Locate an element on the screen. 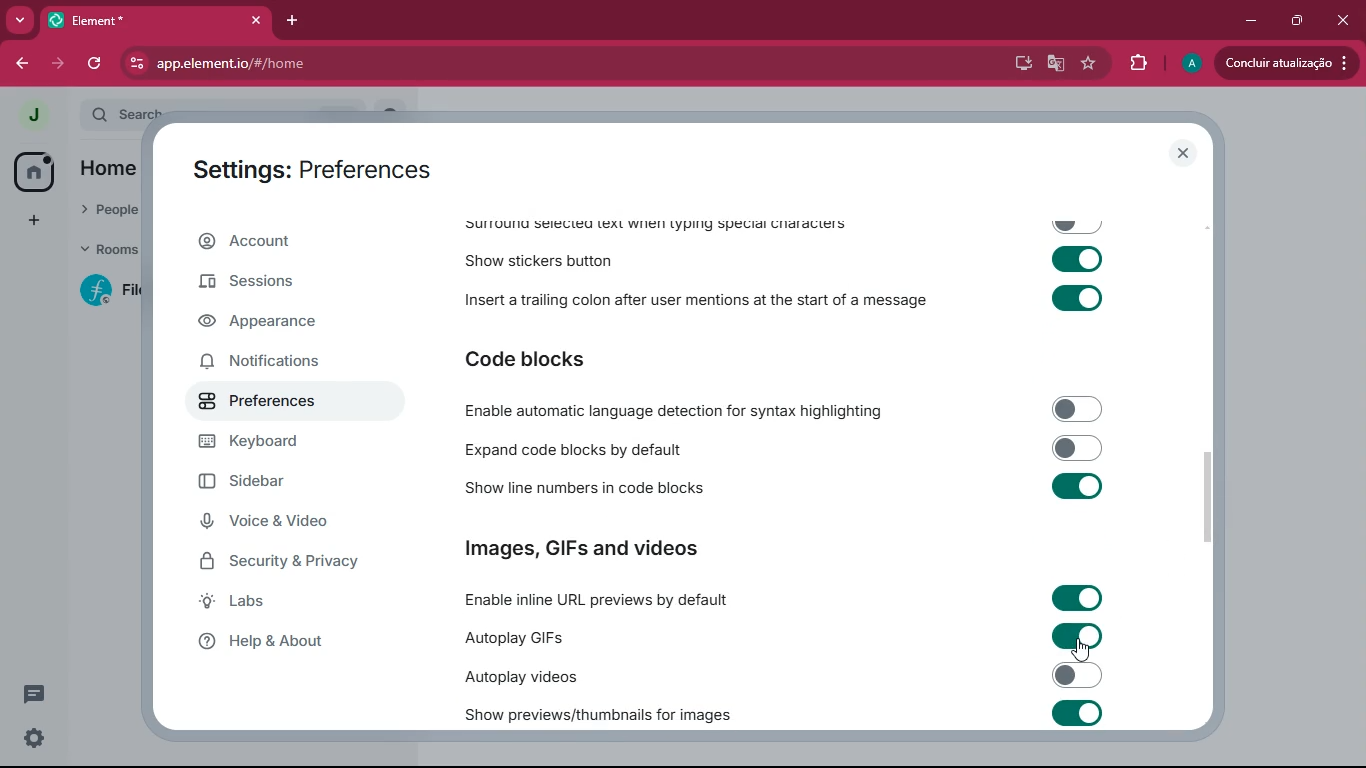 The image size is (1366, 768). keyboard  is located at coordinates (283, 444).